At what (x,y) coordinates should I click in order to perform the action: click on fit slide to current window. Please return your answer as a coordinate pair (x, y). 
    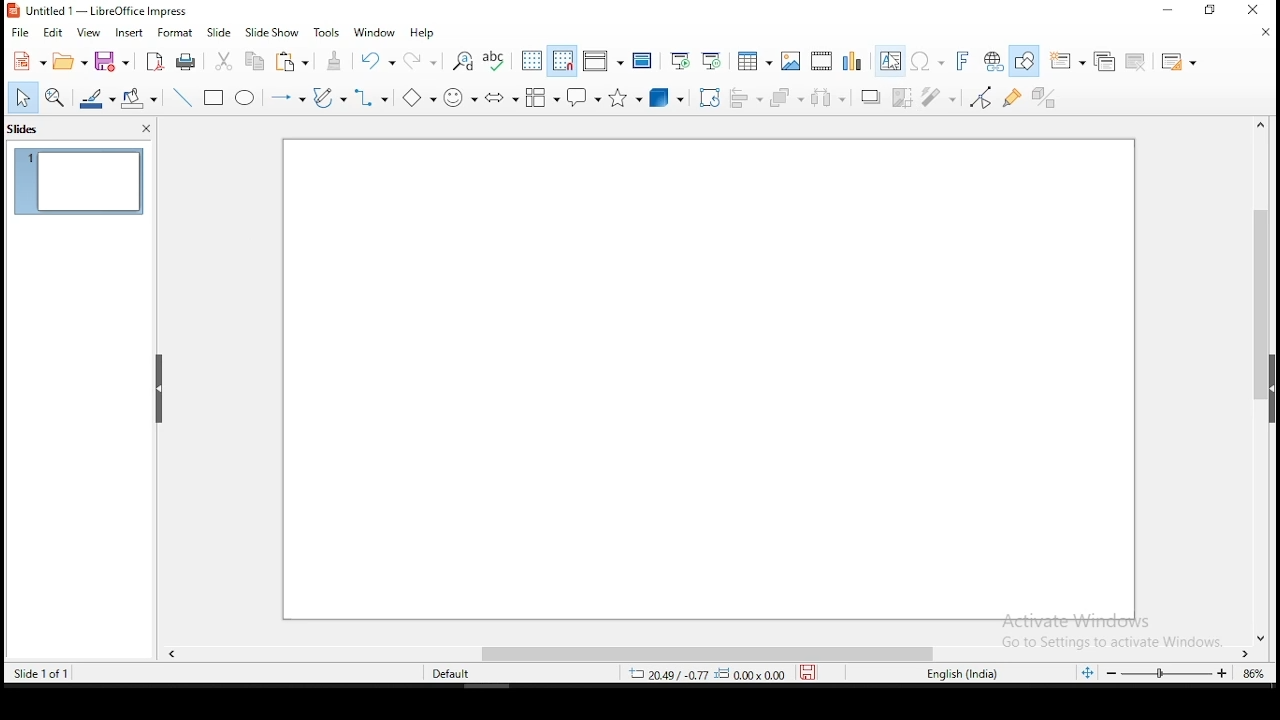
    Looking at the image, I should click on (1087, 668).